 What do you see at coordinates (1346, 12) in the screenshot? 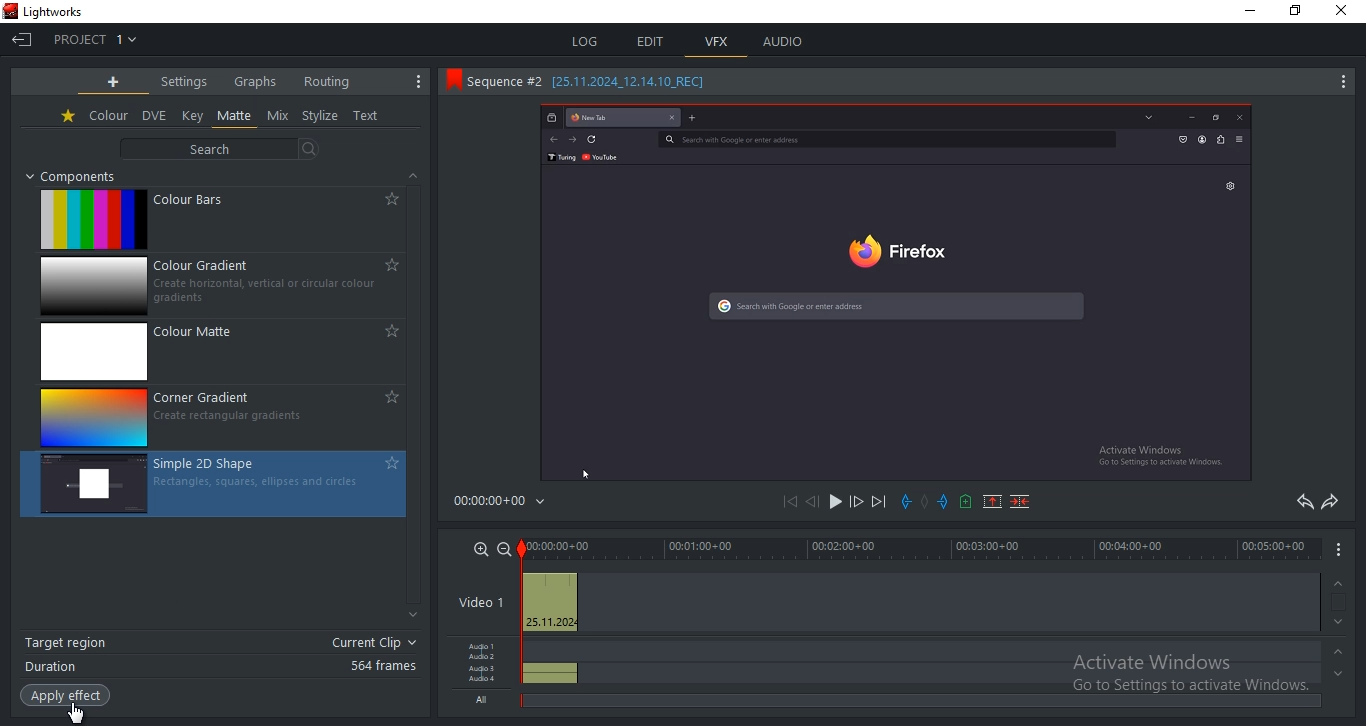
I see `close` at bounding box center [1346, 12].